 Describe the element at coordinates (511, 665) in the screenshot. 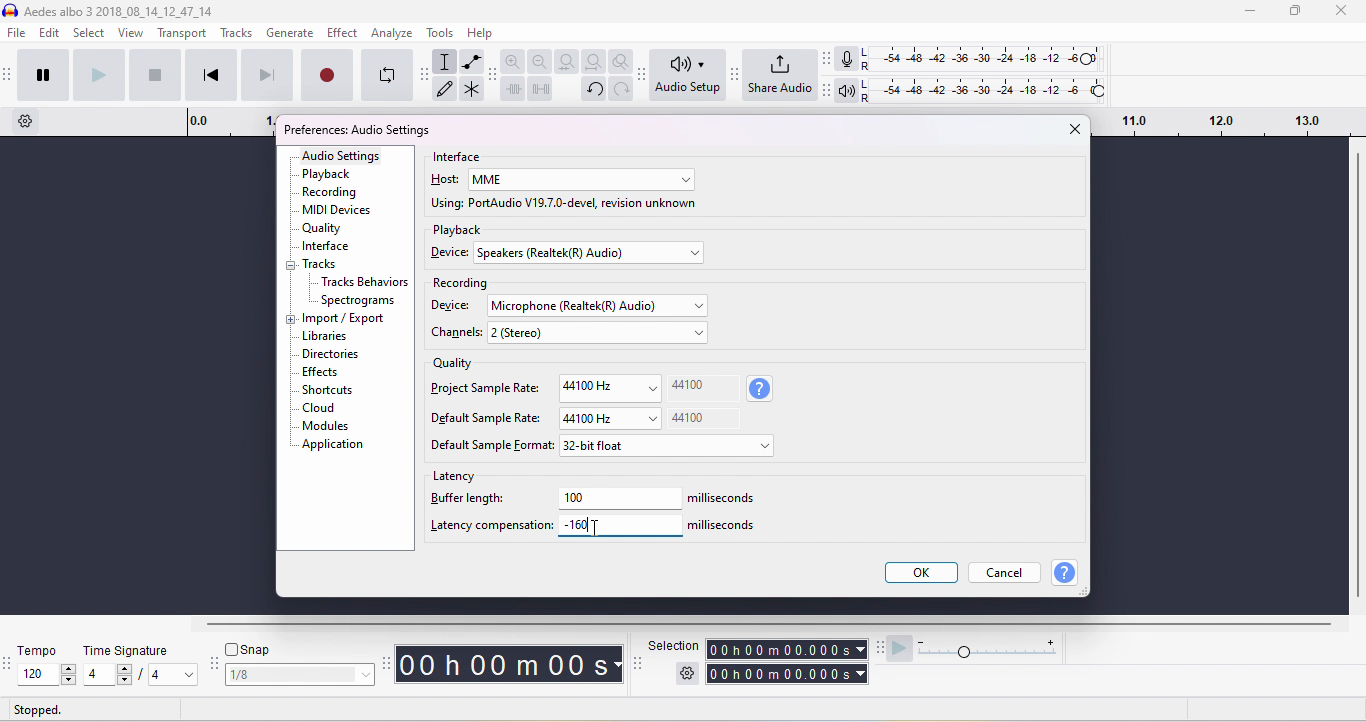

I see `audacity time` at that location.